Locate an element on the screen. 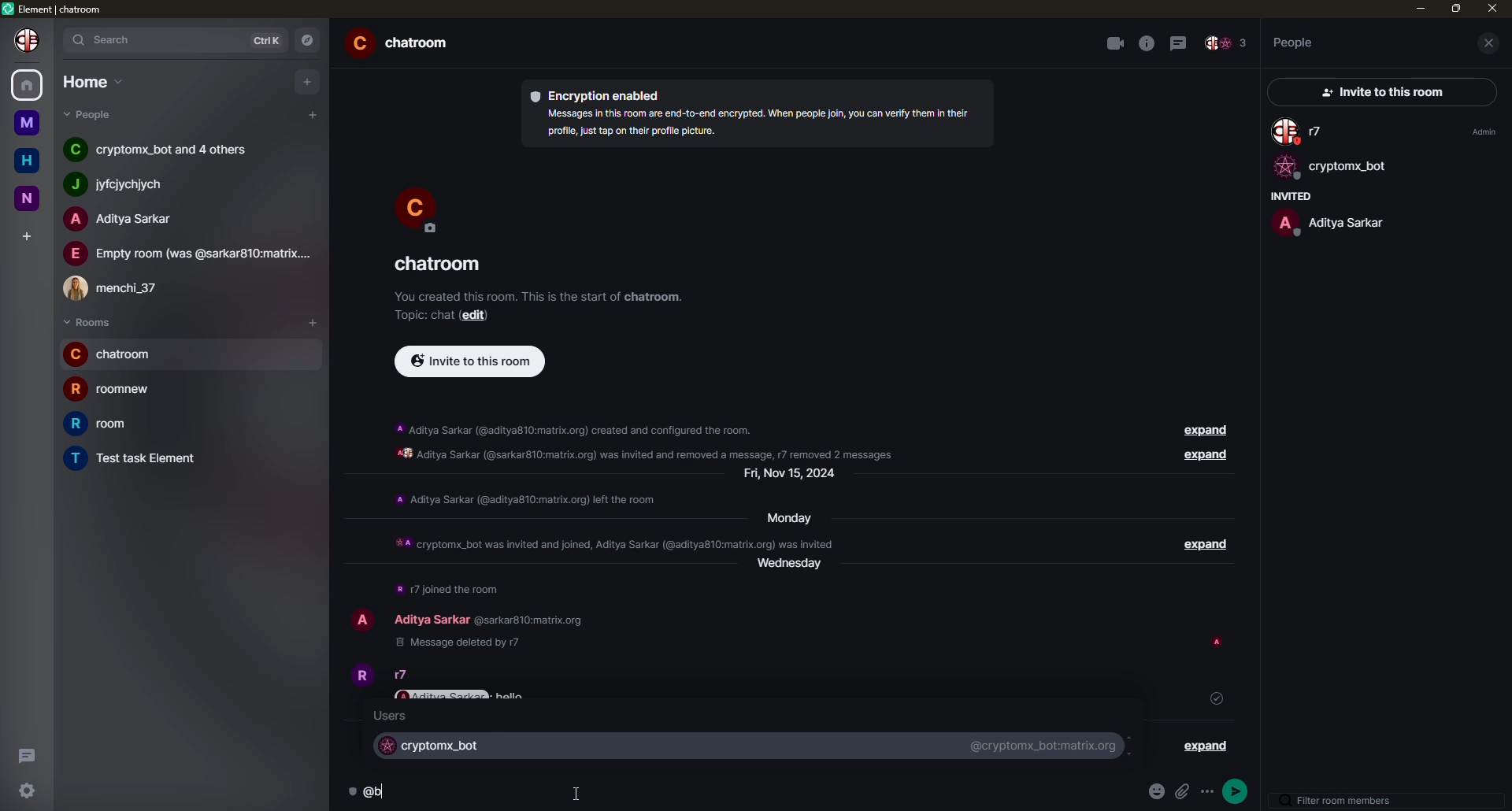  cursor is located at coordinates (580, 792).